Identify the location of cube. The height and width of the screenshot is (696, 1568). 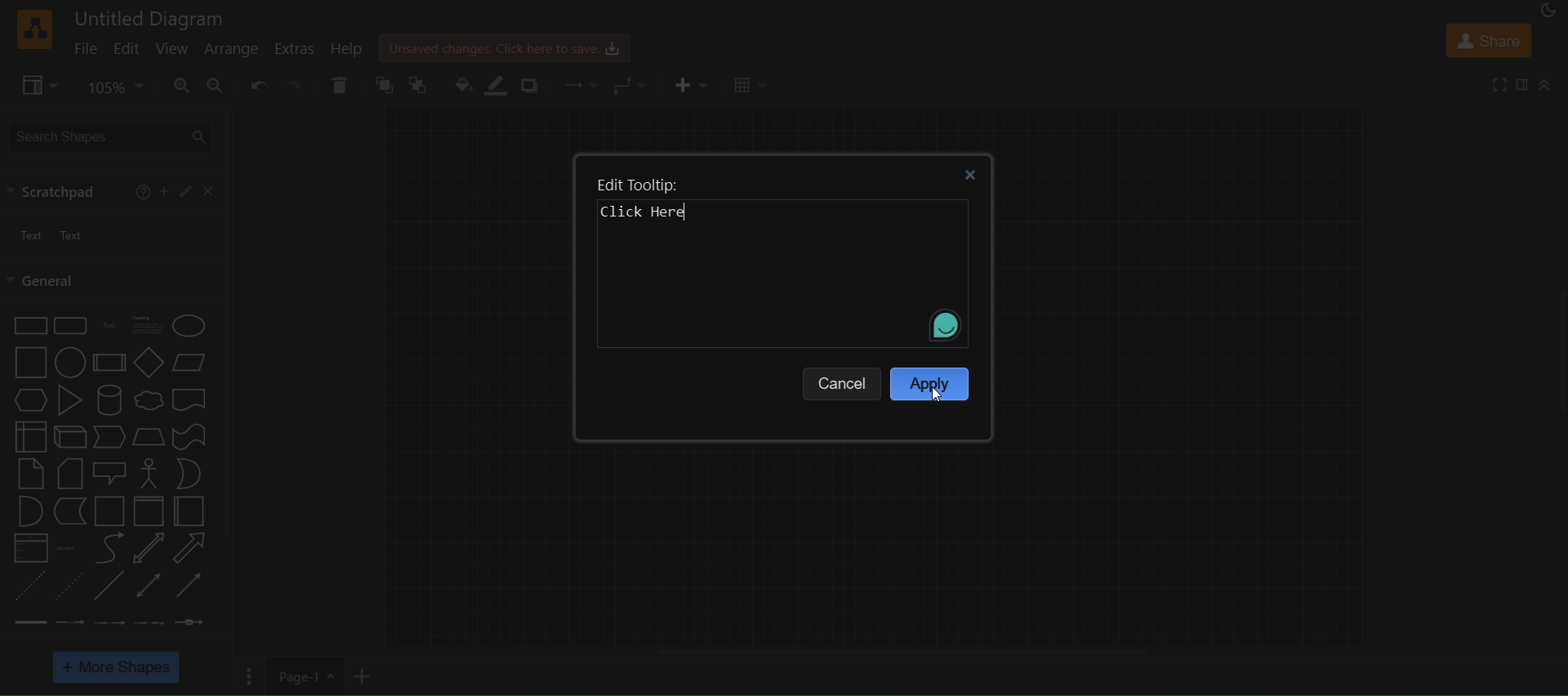
(68, 437).